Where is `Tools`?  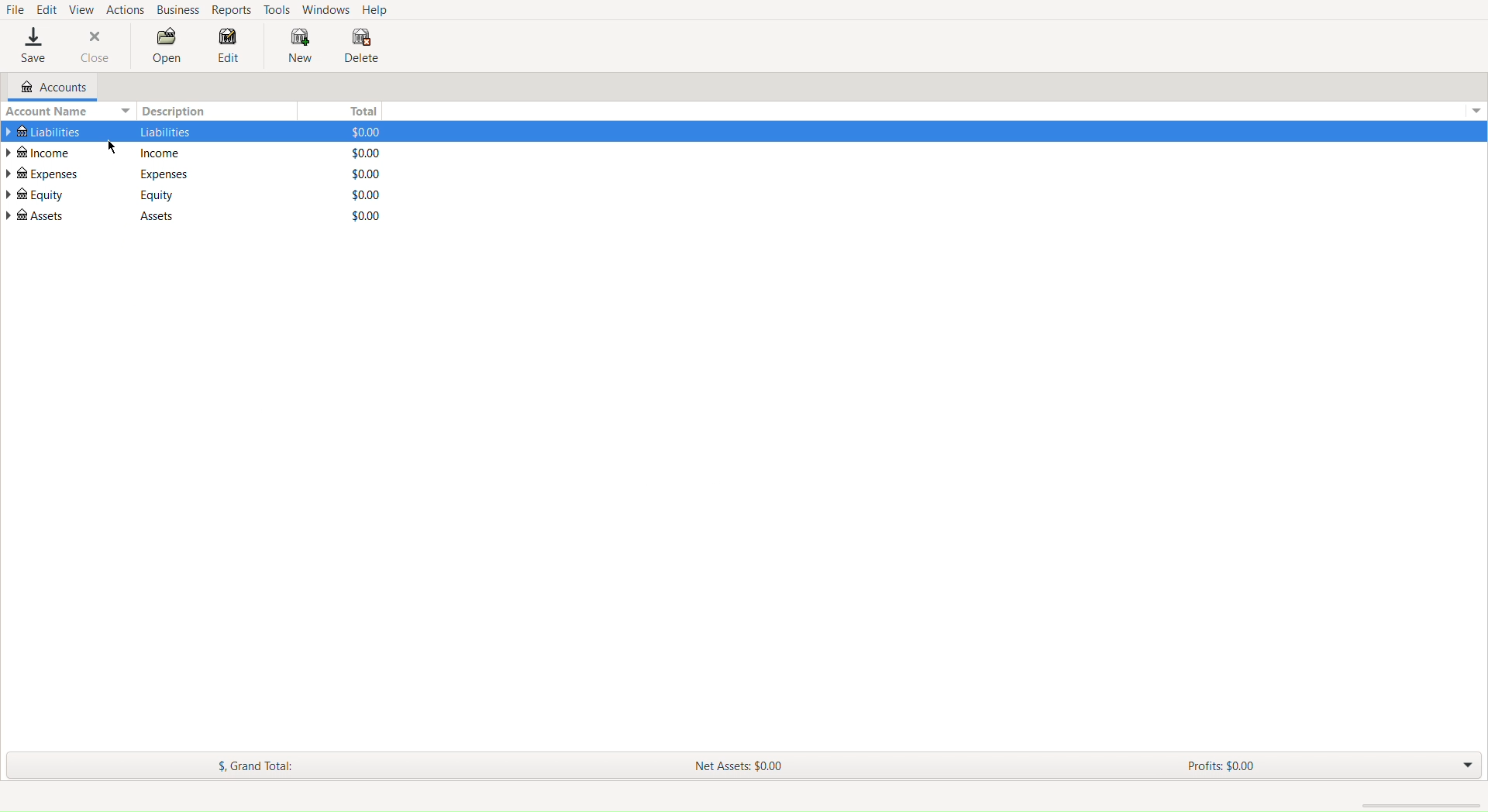
Tools is located at coordinates (277, 9).